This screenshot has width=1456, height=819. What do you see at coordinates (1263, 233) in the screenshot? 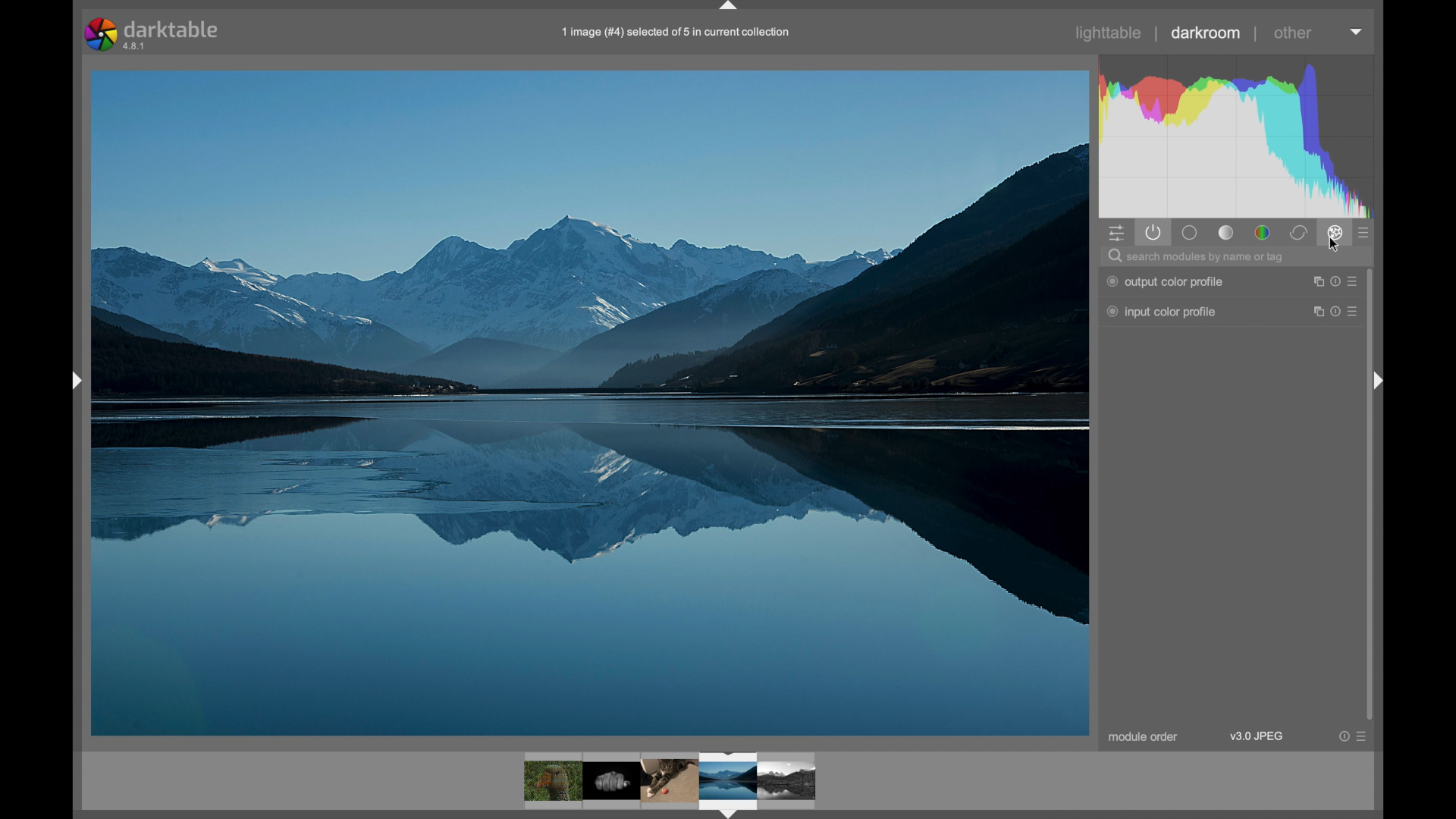
I see `color` at bounding box center [1263, 233].